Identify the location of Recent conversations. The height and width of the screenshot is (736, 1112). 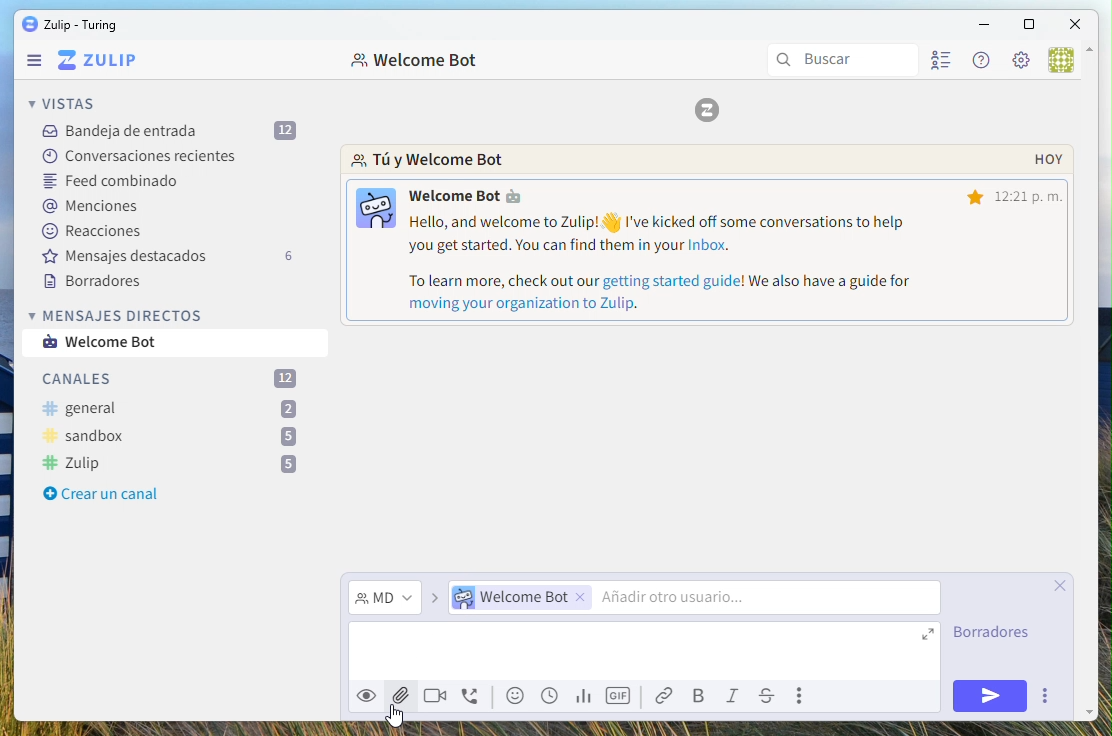
(139, 154).